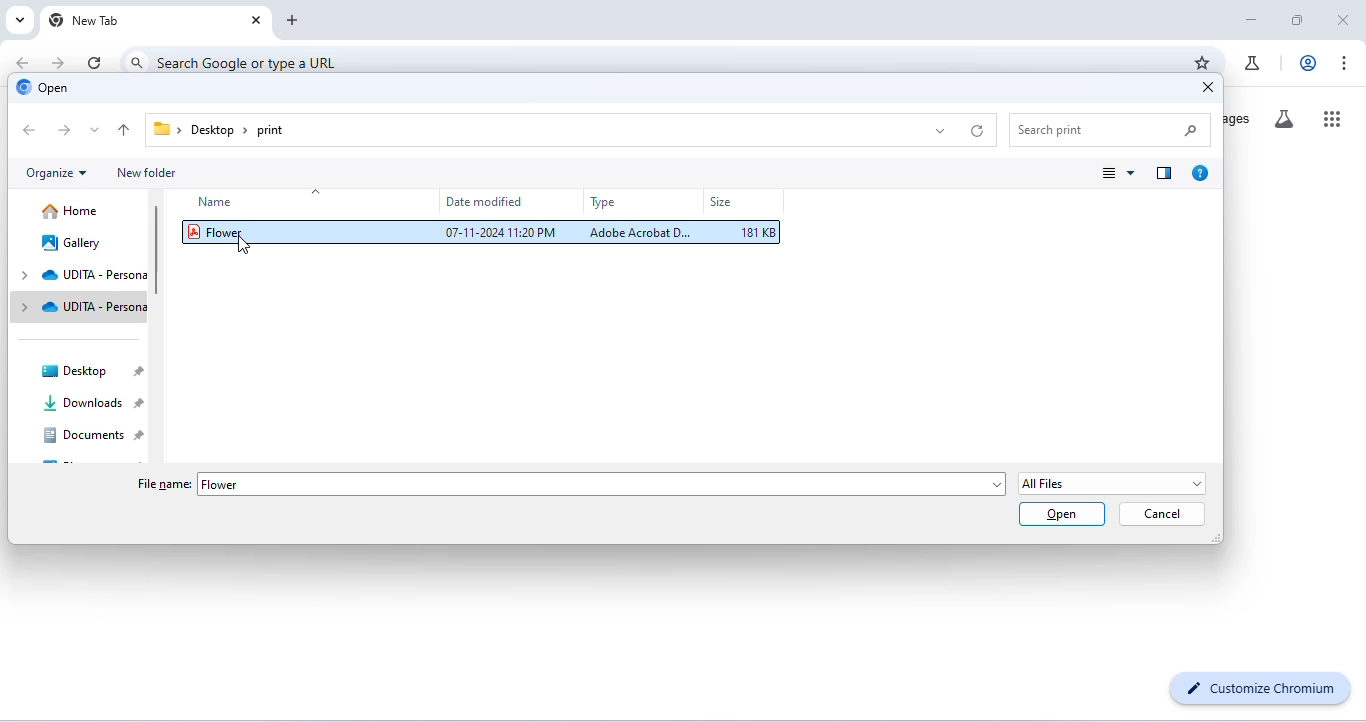  Describe the element at coordinates (91, 404) in the screenshot. I see `downloads` at that location.